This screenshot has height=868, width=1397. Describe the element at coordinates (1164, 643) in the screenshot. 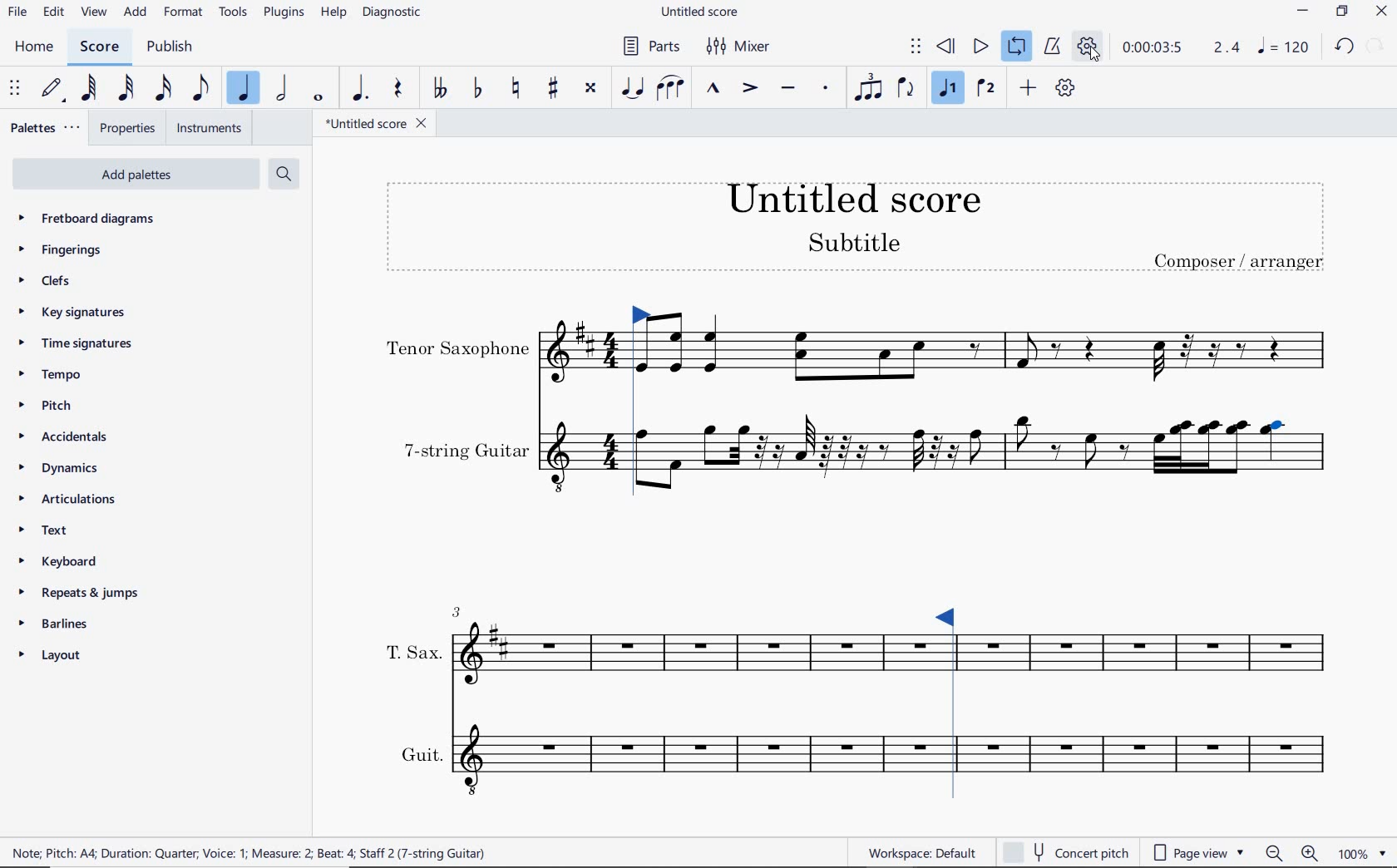

I see `INSTRUMENT: T.SAX` at that location.